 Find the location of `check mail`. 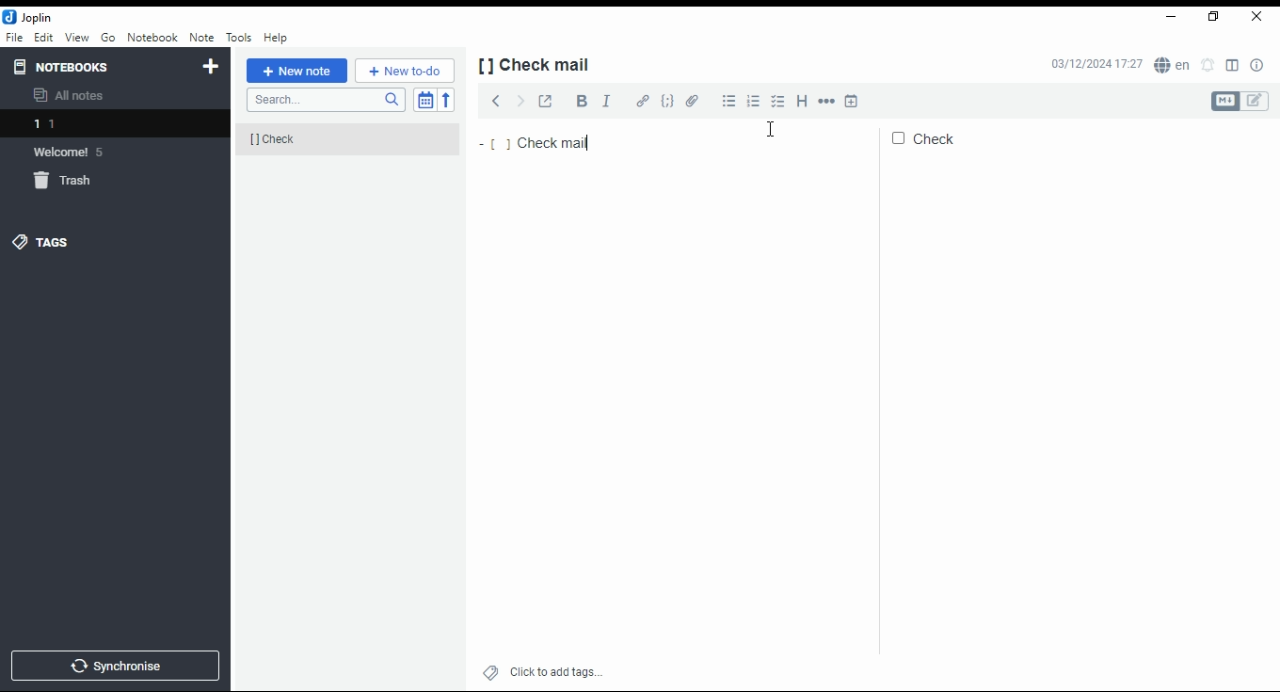

check mail is located at coordinates (544, 139).